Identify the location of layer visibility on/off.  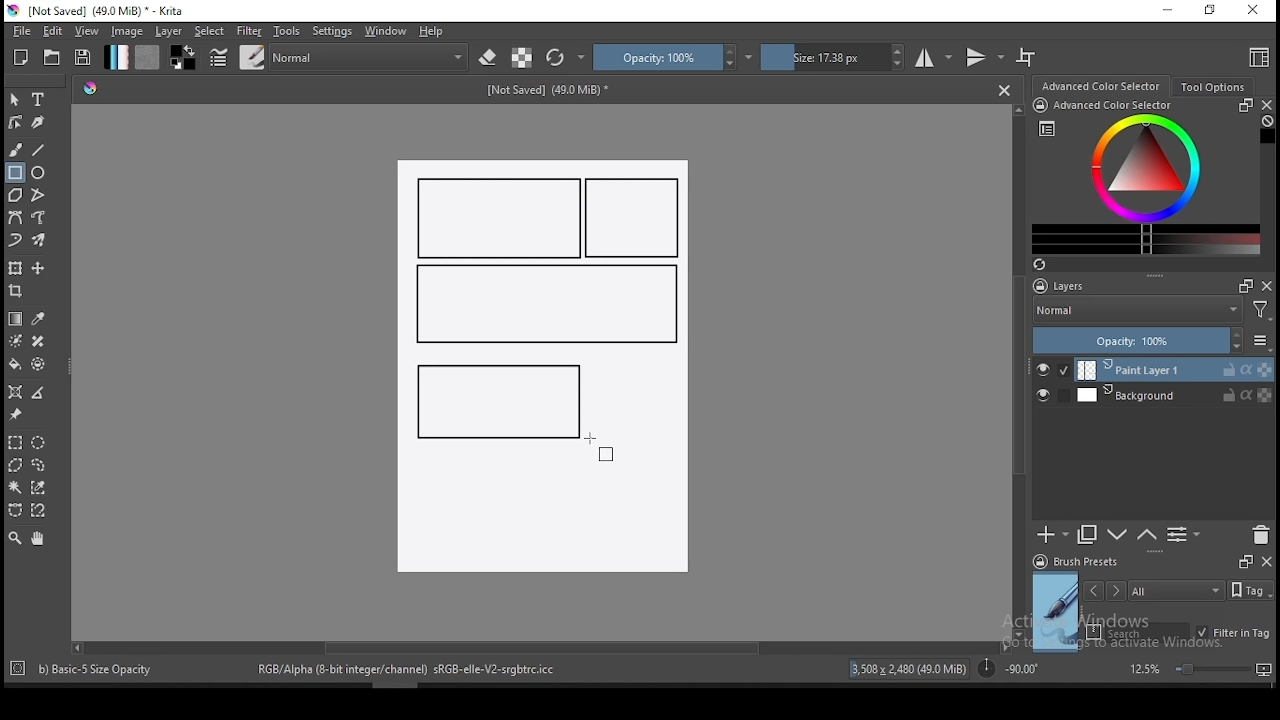
(1053, 370).